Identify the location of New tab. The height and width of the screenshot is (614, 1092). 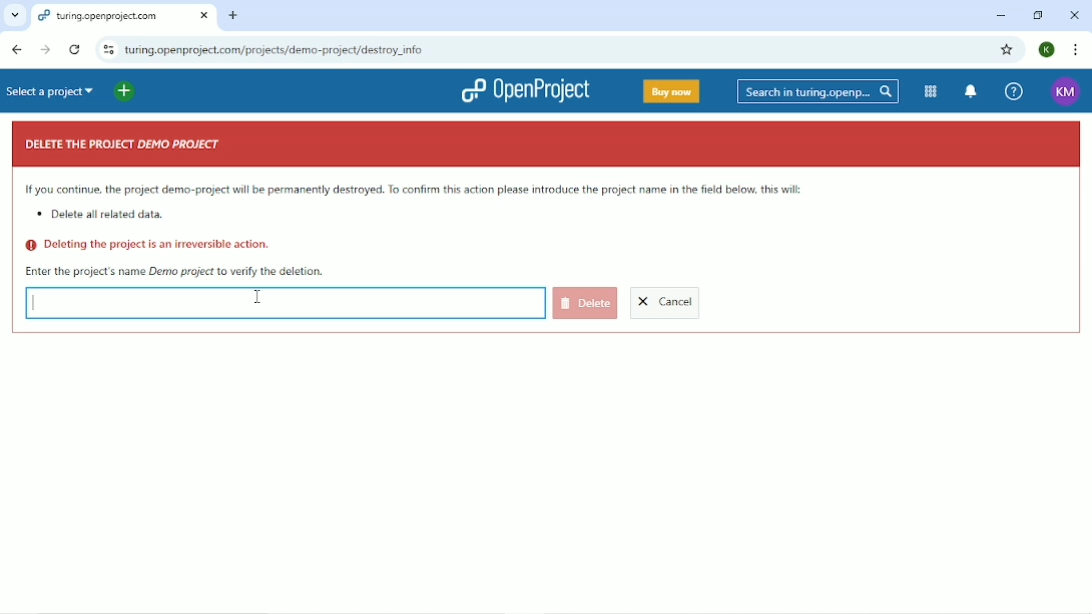
(235, 16).